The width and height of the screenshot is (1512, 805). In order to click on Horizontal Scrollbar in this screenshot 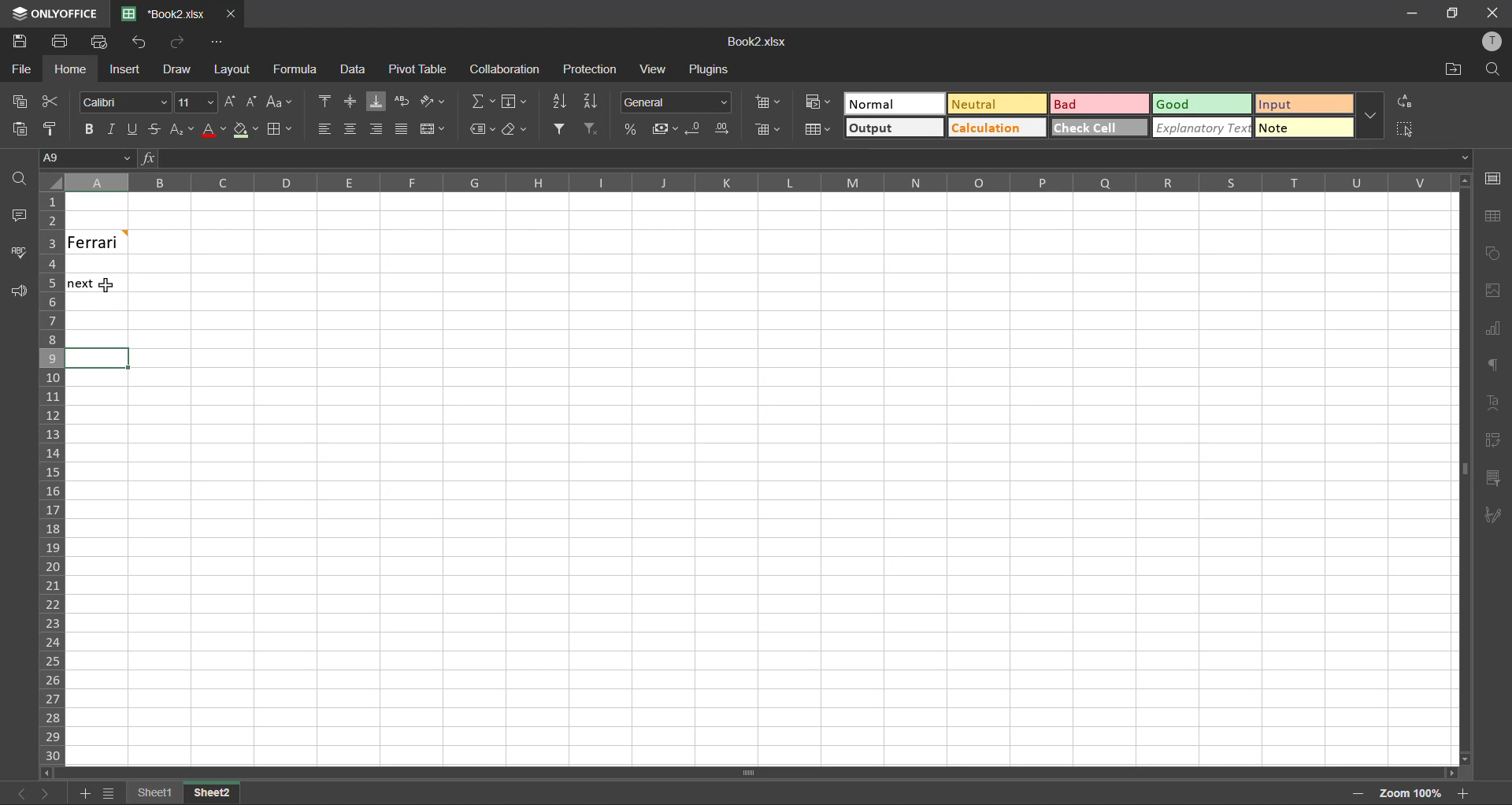, I will do `click(1457, 469)`.